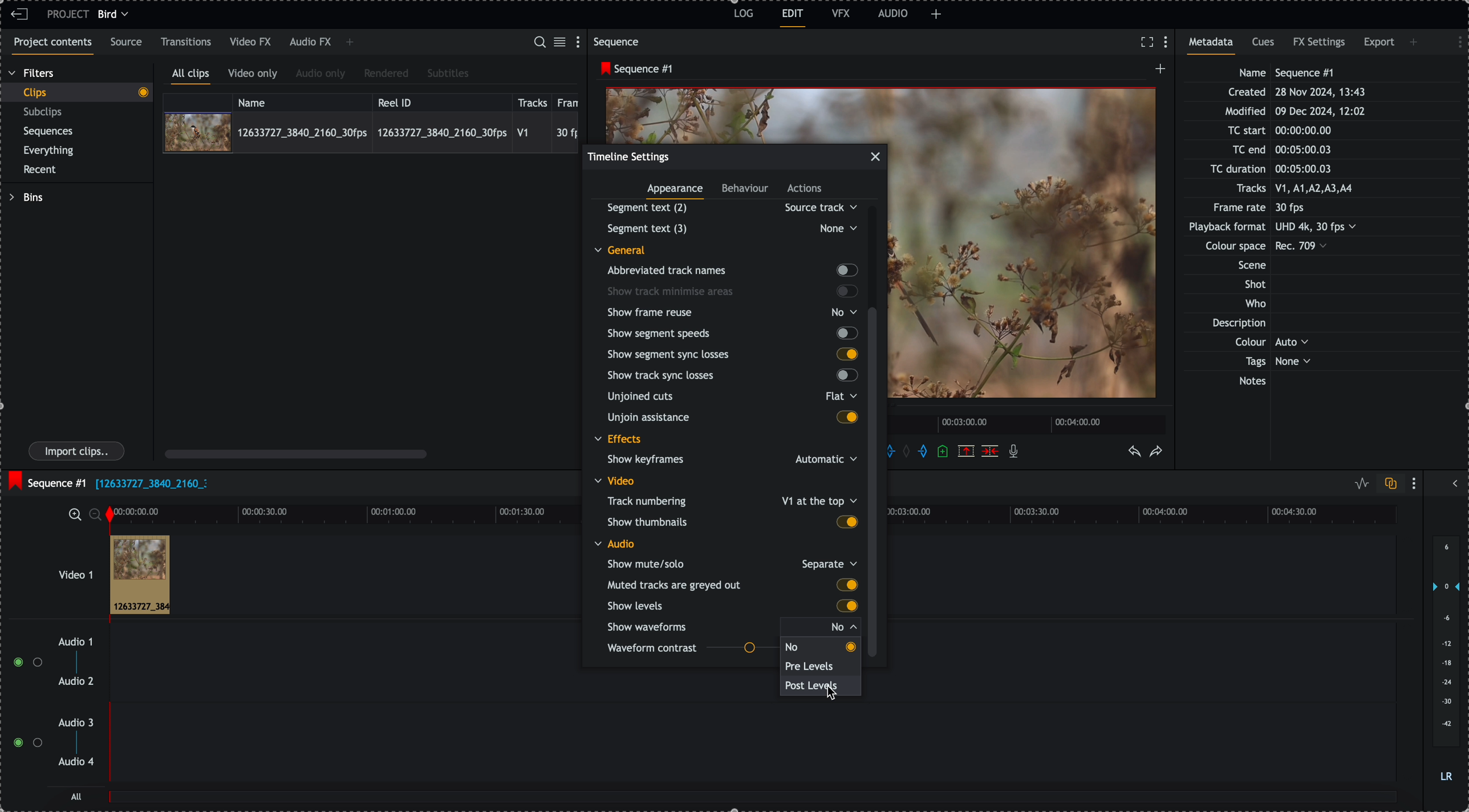 This screenshot has width=1469, height=812. I want to click on all, so click(77, 796).